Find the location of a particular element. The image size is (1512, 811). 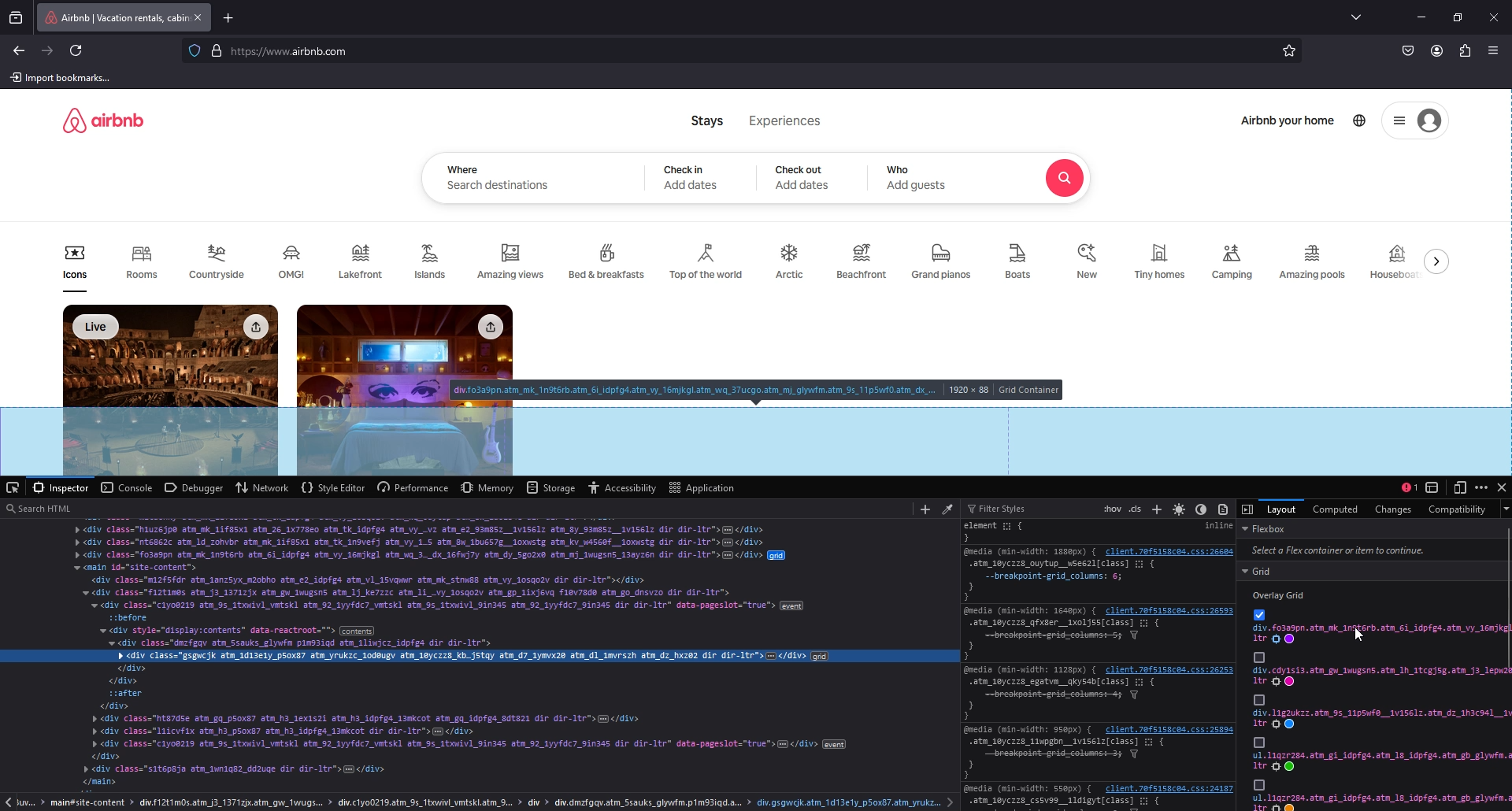

light color scheme is located at coordinates (1180, 508).